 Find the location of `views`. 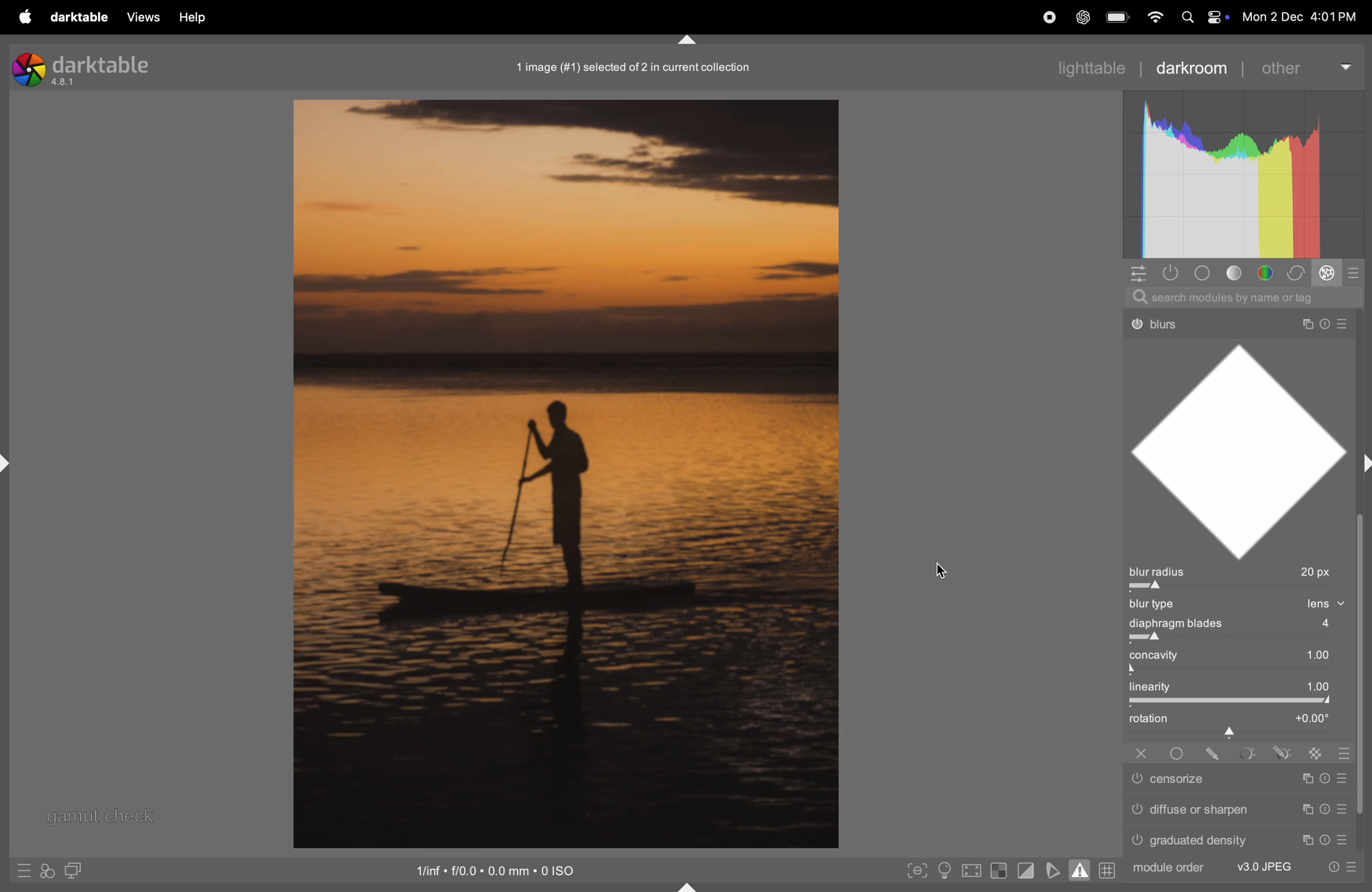

views is located at coordinates (142, 17).